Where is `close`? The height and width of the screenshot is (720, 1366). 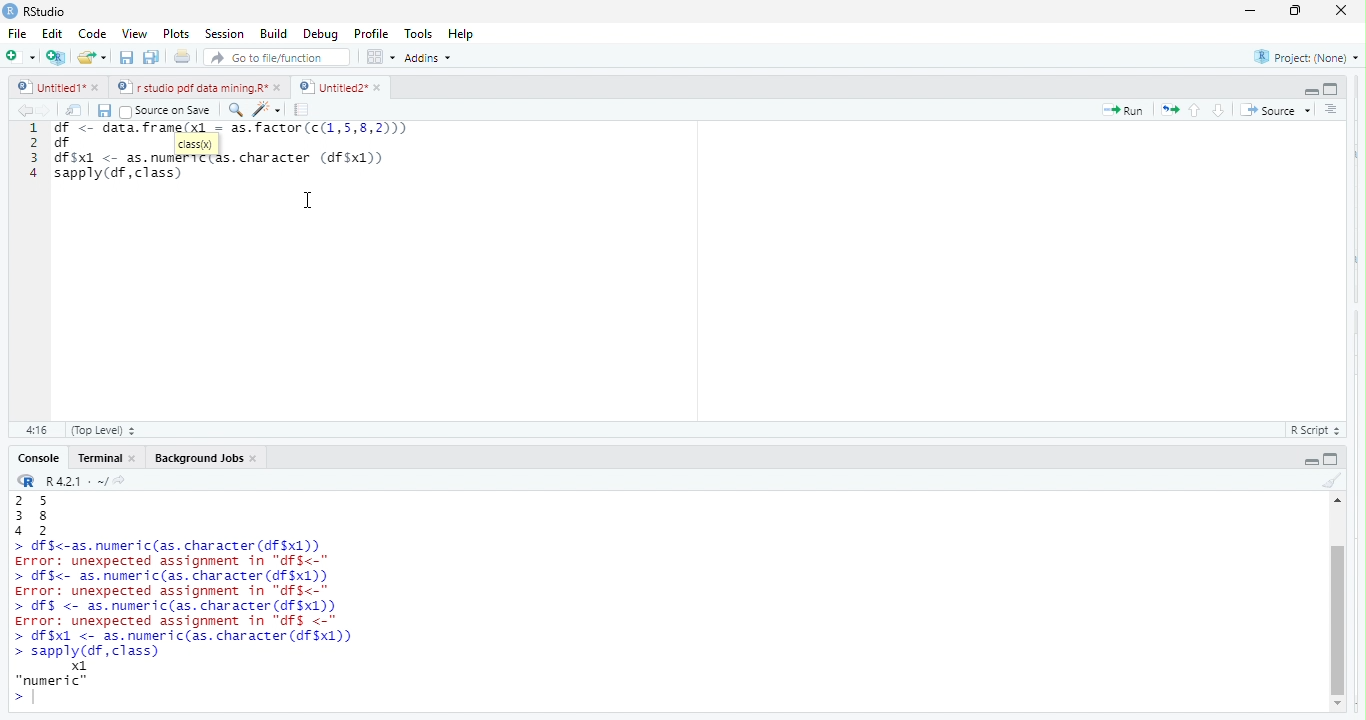 close is located at coordinates (258, 459).